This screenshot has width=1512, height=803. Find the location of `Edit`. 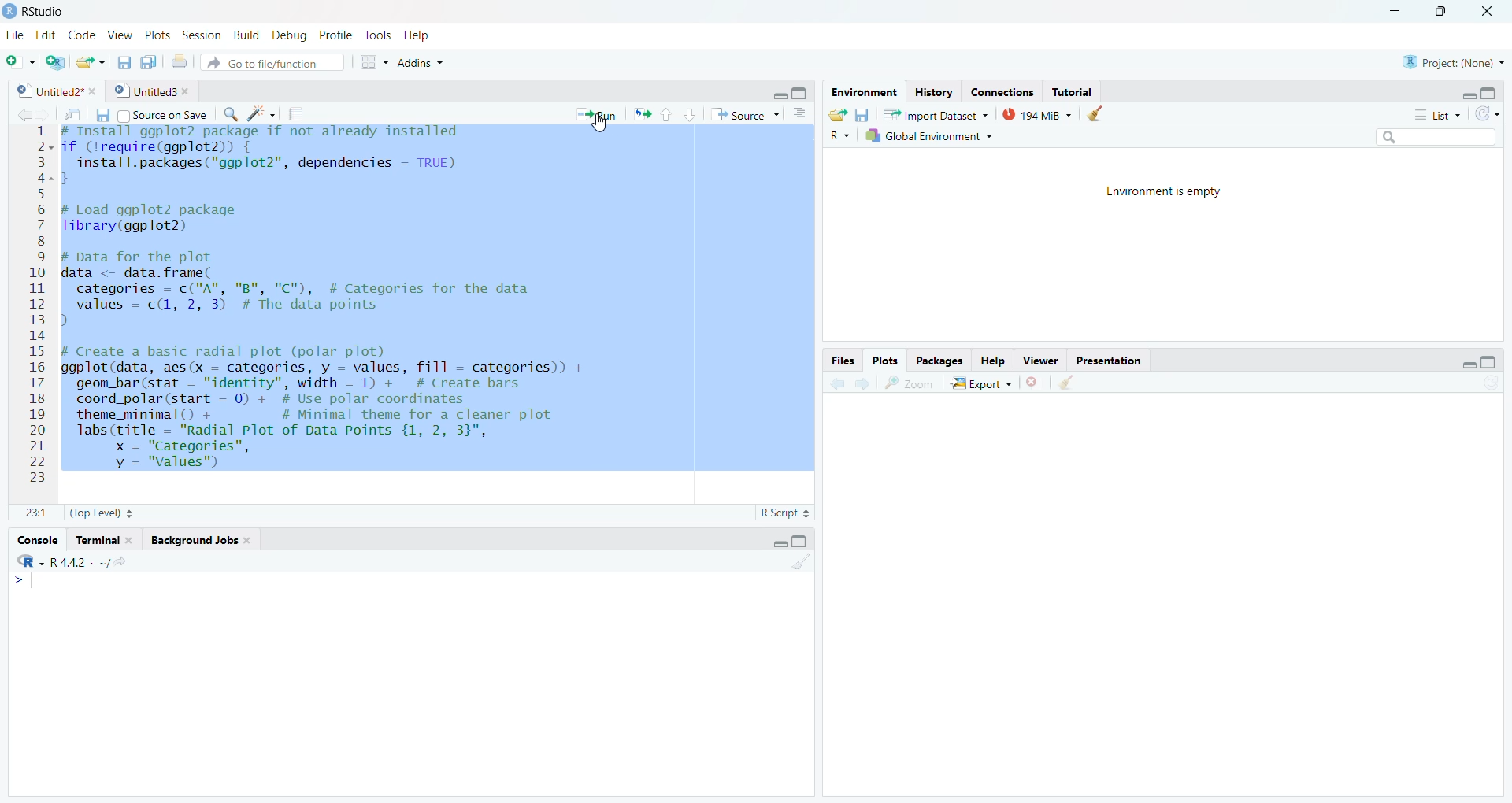

Edit is located at coordinates (44, 37).